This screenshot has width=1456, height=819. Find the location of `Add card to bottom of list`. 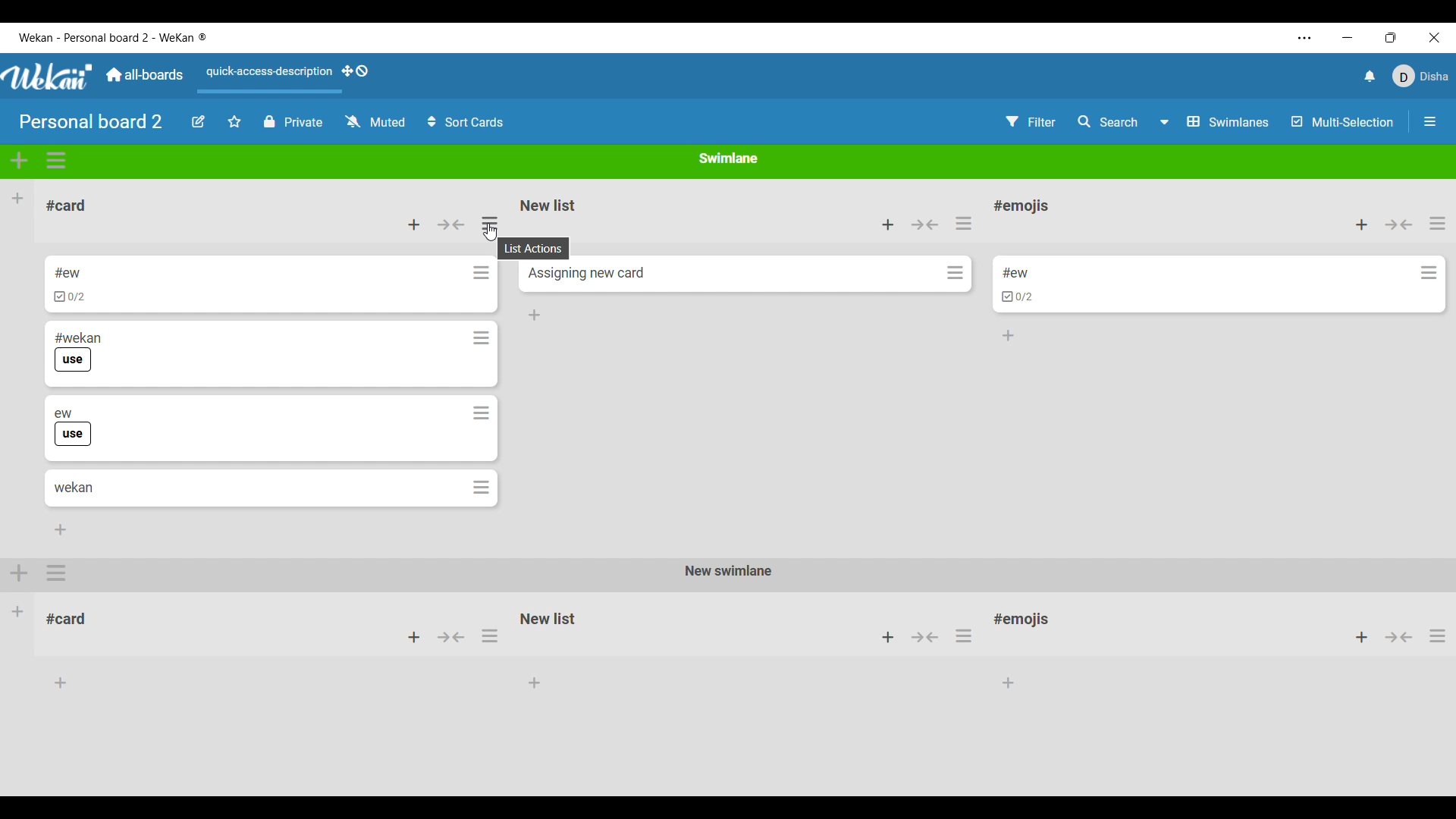

Add card to bottom of list is located at coordinates (535, 315).